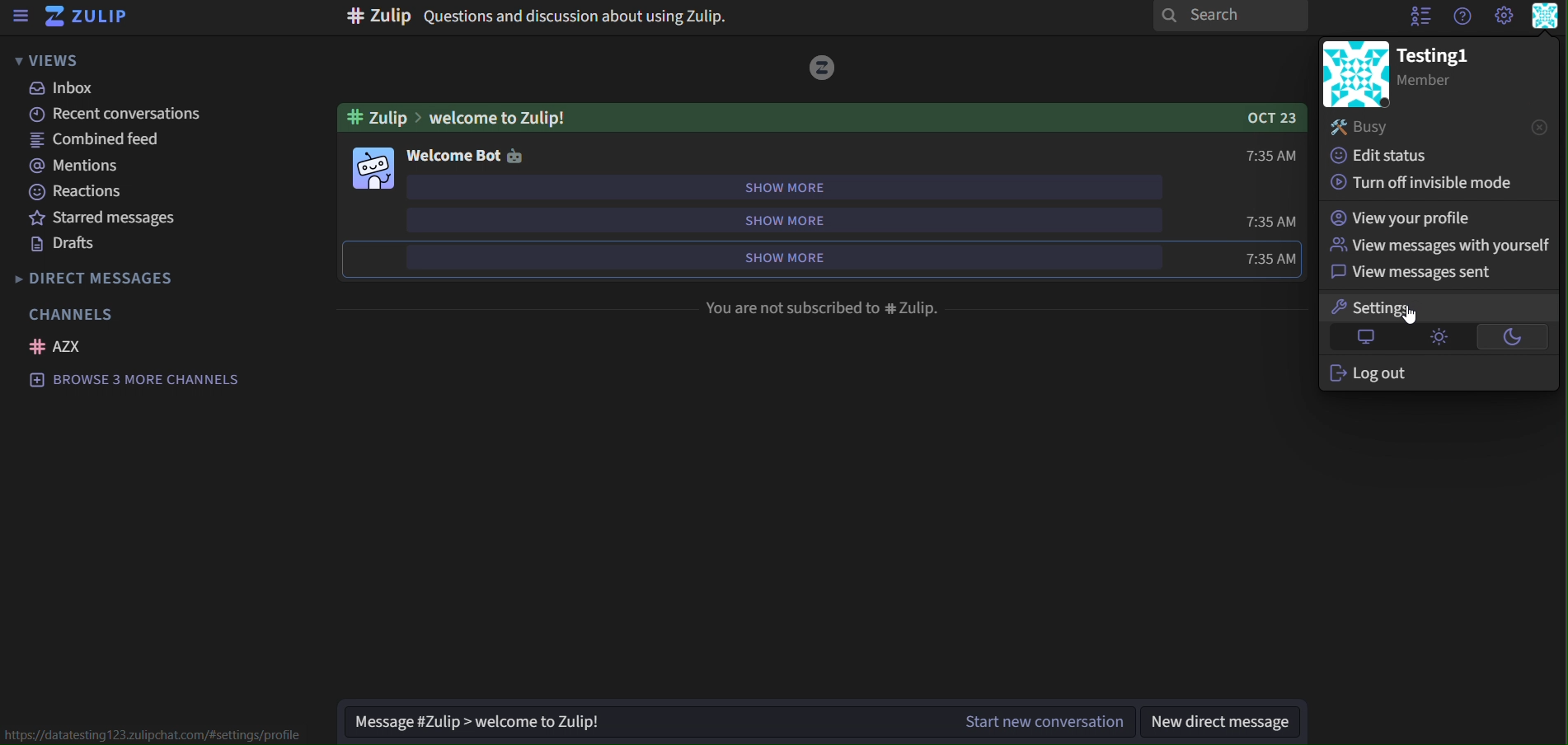 The image size is (1568, 745). Describe the element at coordinates (97, 138) in the screenshot. I see `combined feed` at that location.